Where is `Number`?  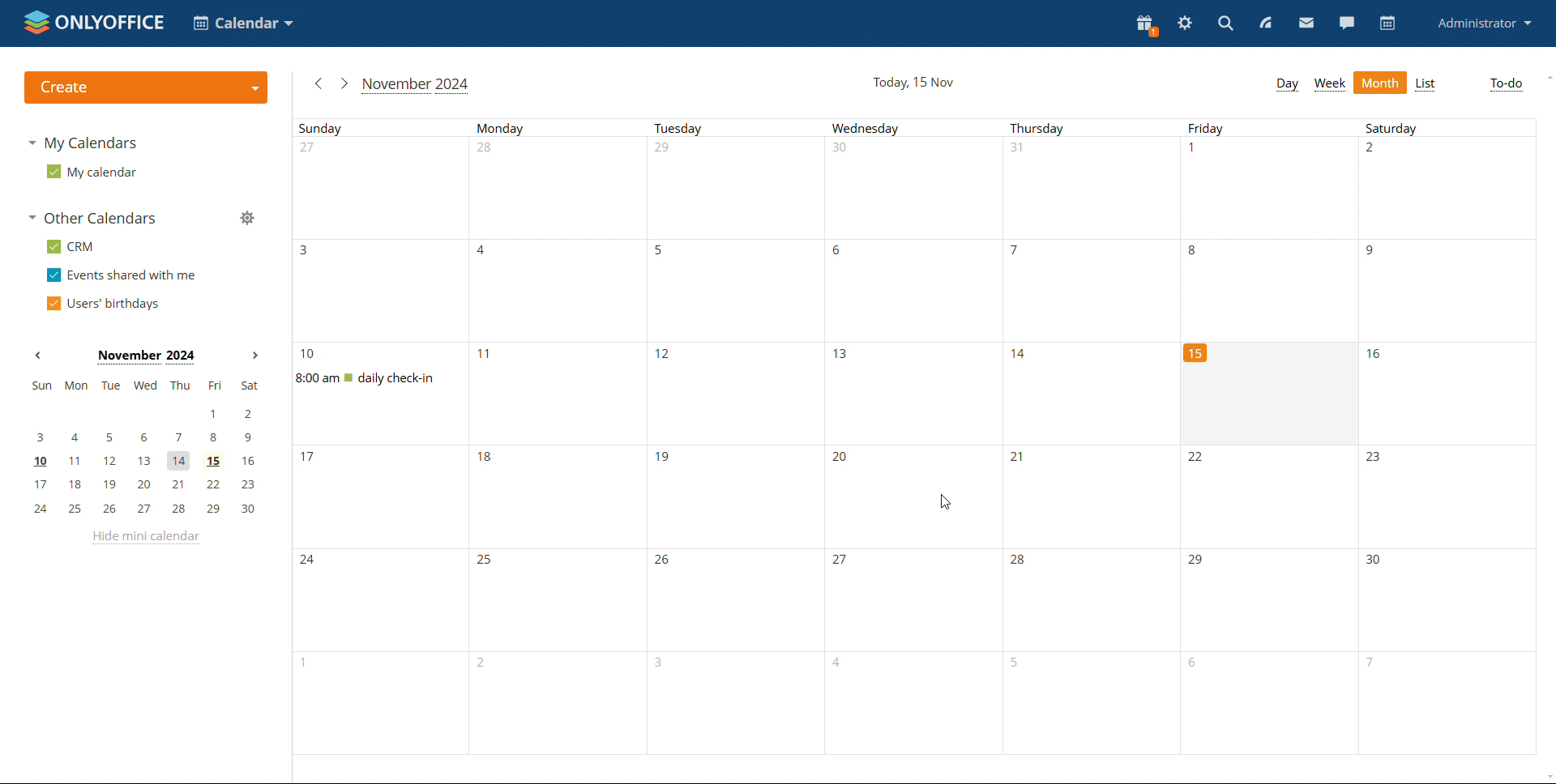
Number is located at coordinates (1020, 355).